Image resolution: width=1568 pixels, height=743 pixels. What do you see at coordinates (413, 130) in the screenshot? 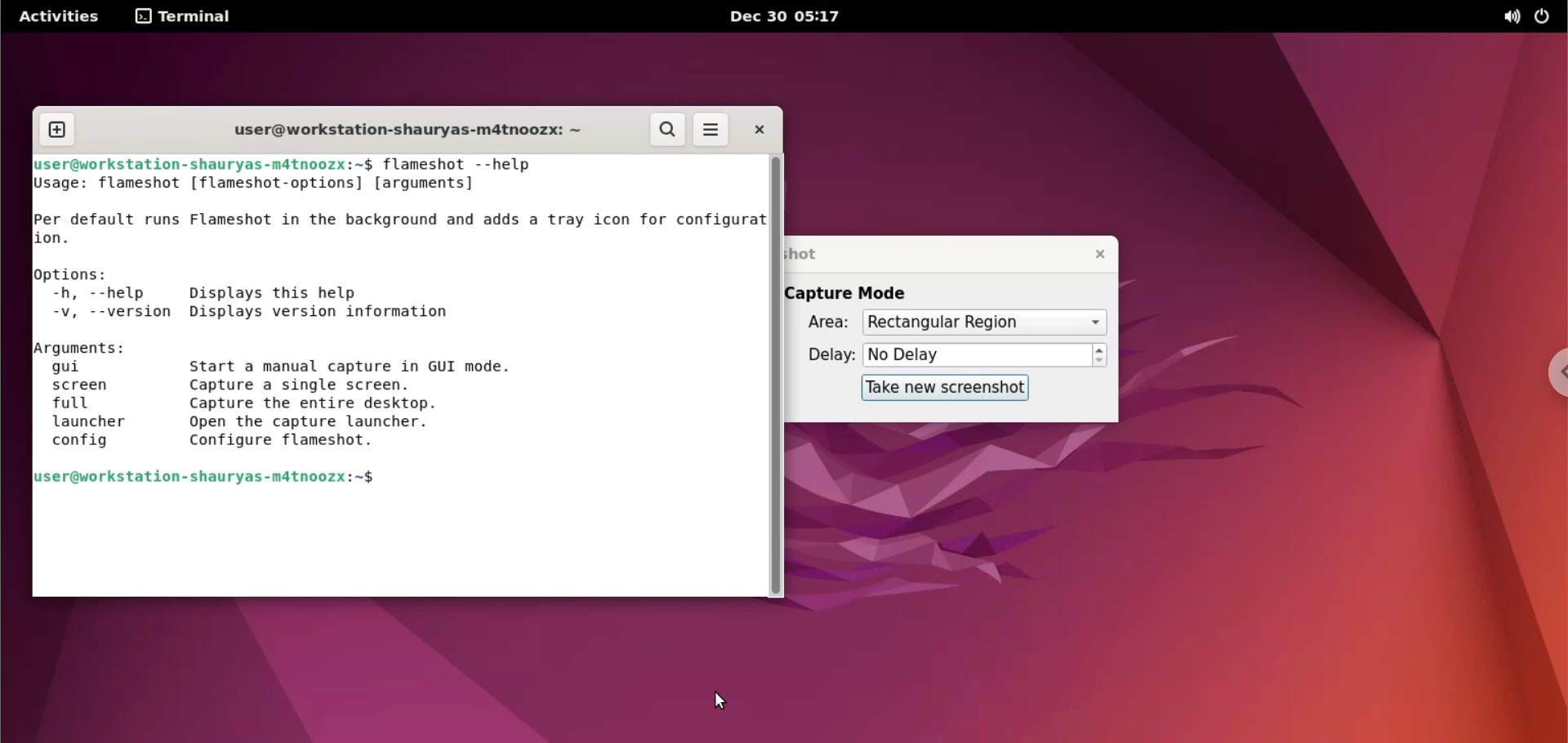
I see `user@workstation-shaurya-m4tnoozx: ~` at bounding box center [413, 130].